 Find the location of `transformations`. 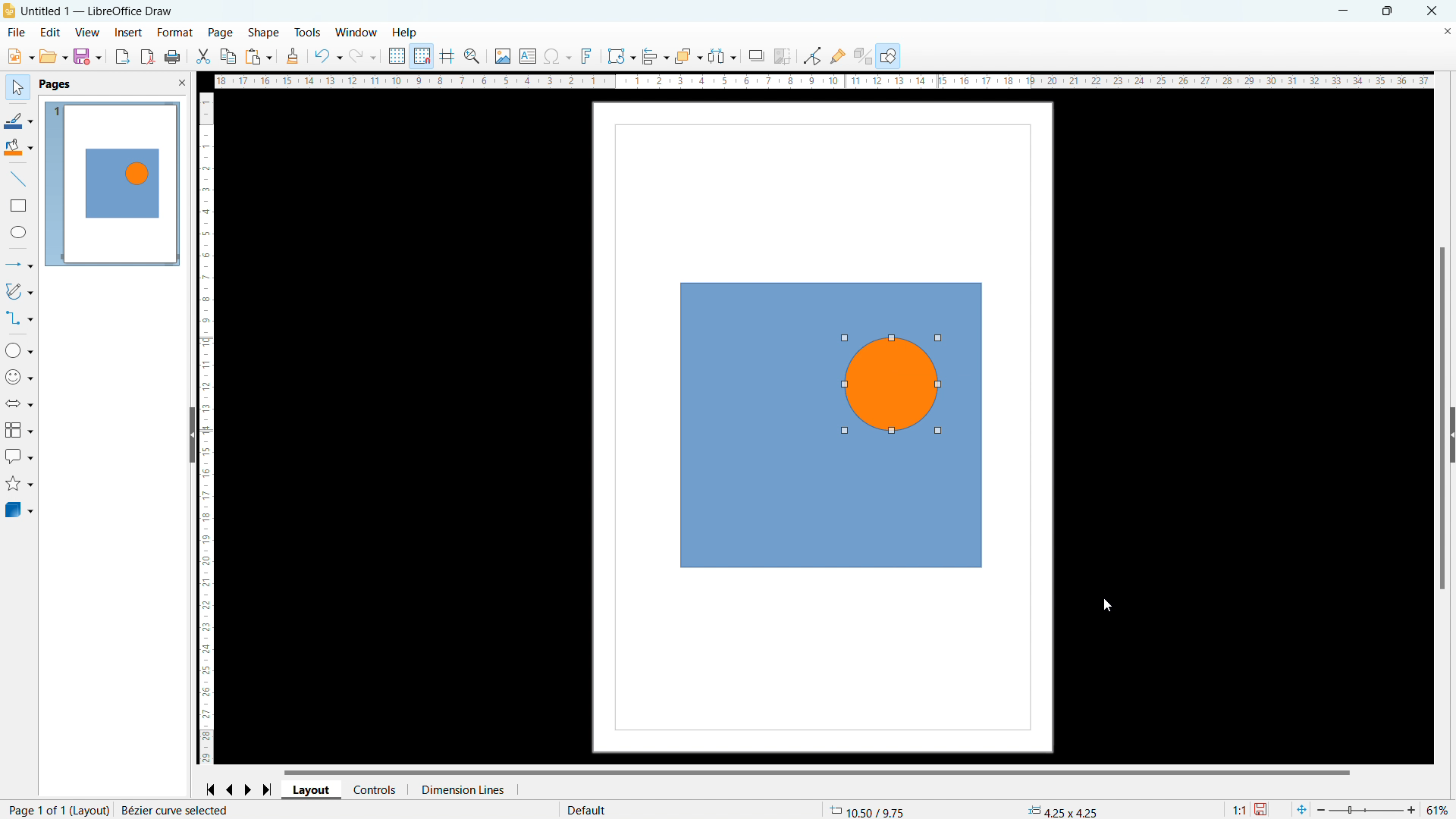

transformations is located at coordinates (620, 56).